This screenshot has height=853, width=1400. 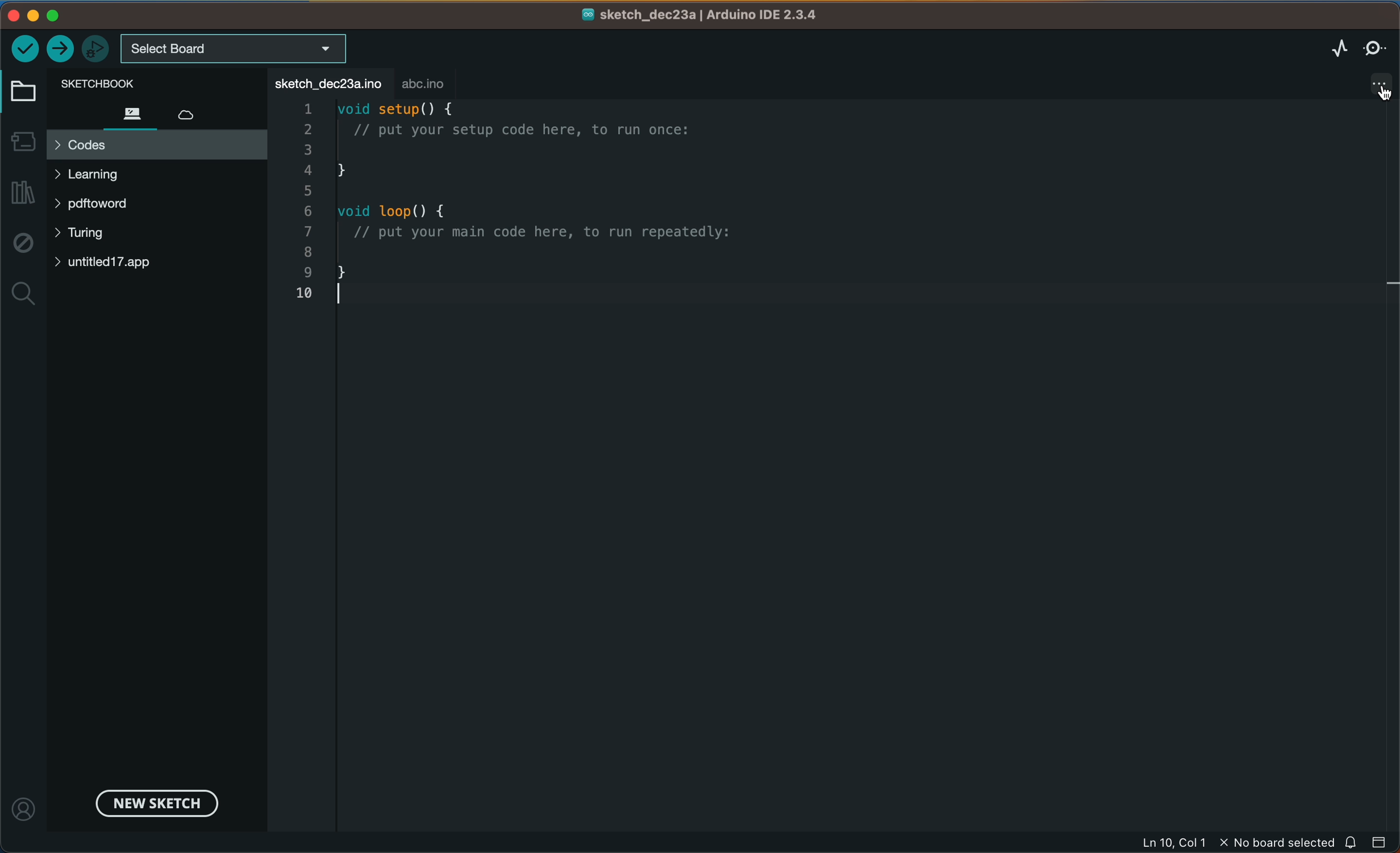 What do you see at coordinates (155, 801) in the screenshot?
I see `new sketch` at bounding box center [155, 801].